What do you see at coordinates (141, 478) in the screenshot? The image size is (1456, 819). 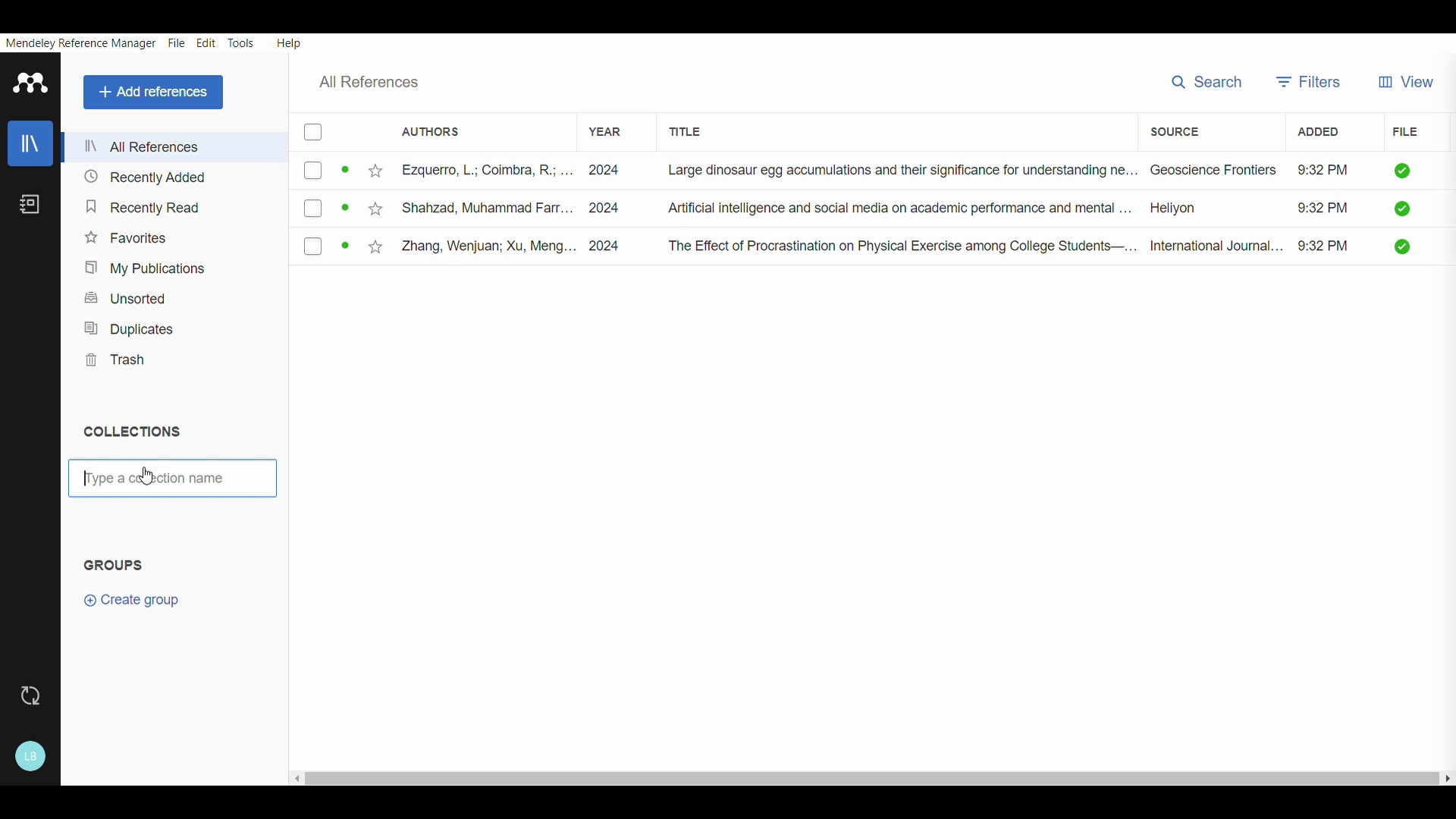 I see `Cursor` at bounding box center [141, 478].